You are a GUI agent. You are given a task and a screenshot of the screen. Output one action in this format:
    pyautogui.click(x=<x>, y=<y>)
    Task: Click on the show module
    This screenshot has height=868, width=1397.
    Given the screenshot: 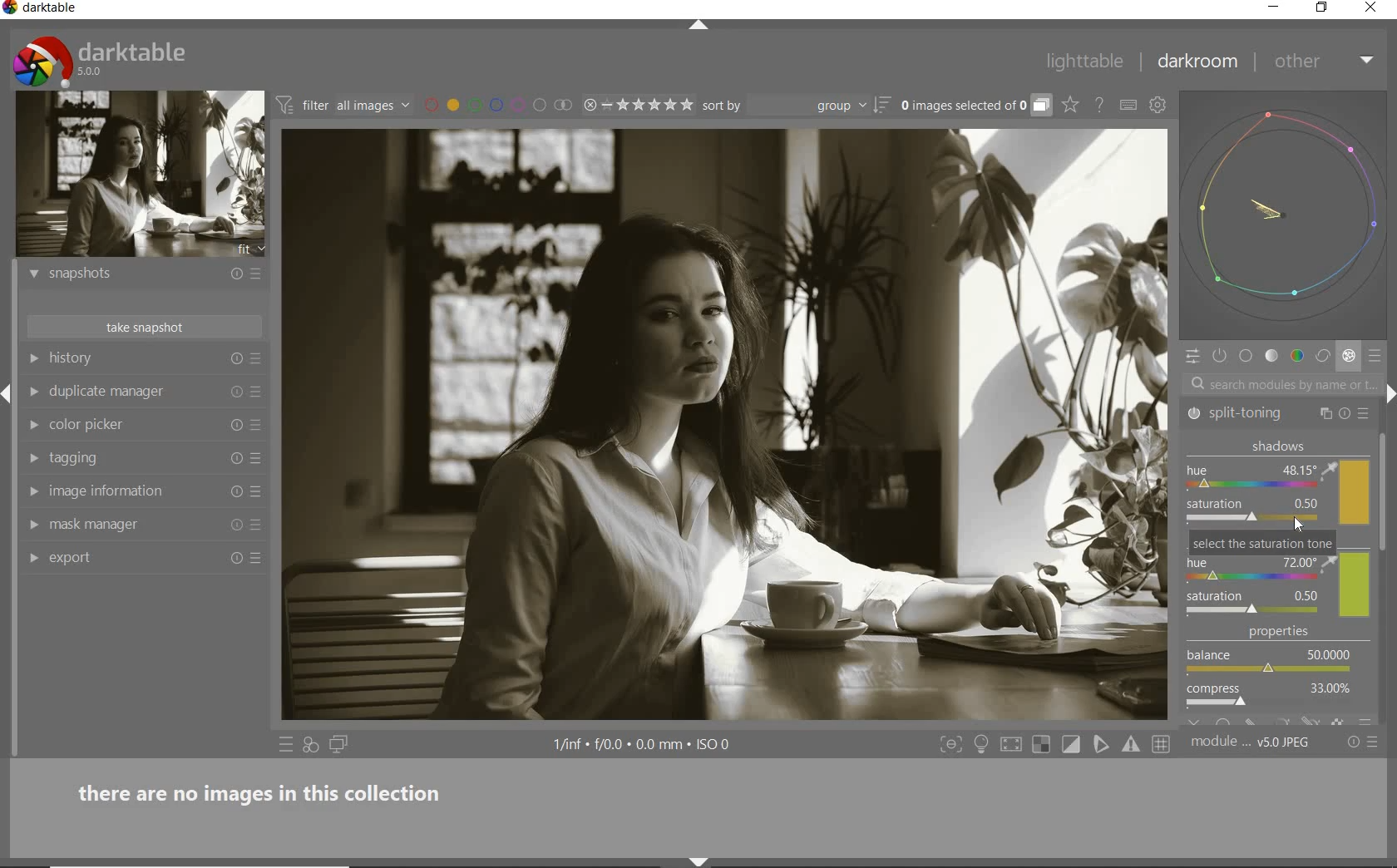 What is the action you would take?
    pyautogui.click(x=31, y=491)
    